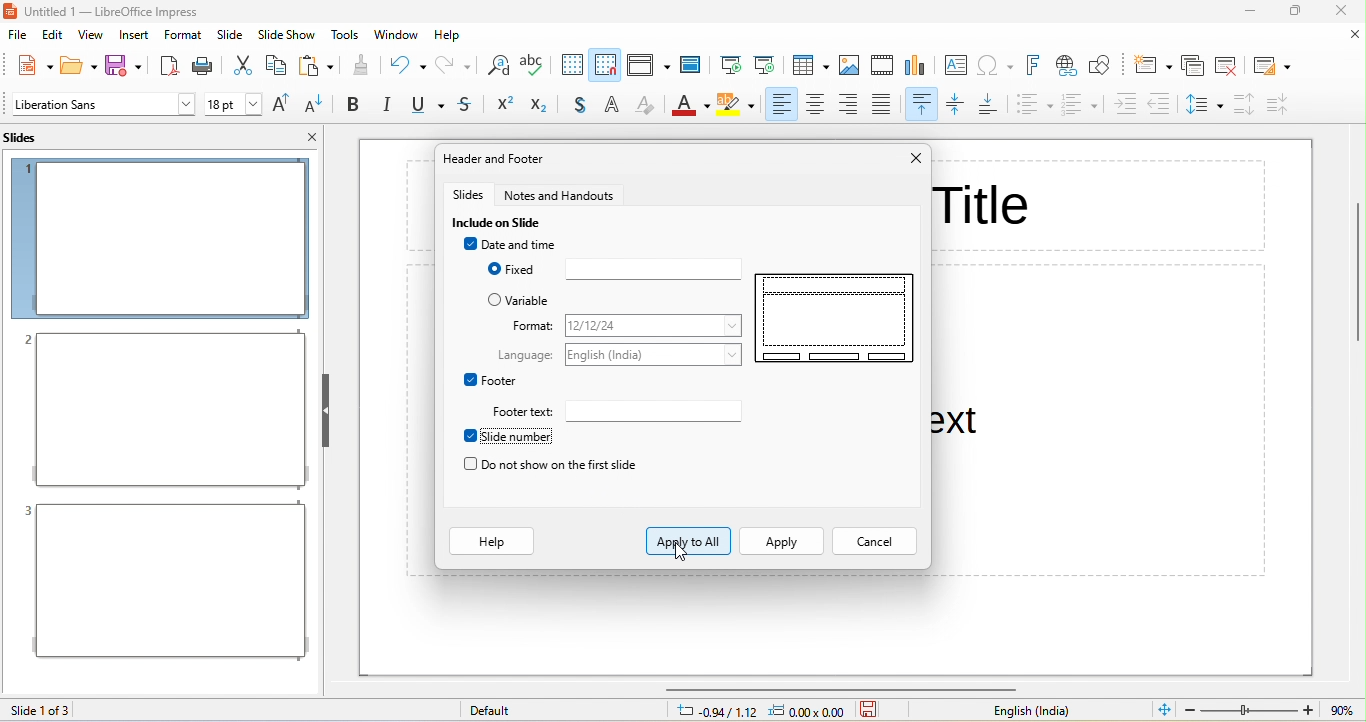  I want to click on language, so click(658, 353).